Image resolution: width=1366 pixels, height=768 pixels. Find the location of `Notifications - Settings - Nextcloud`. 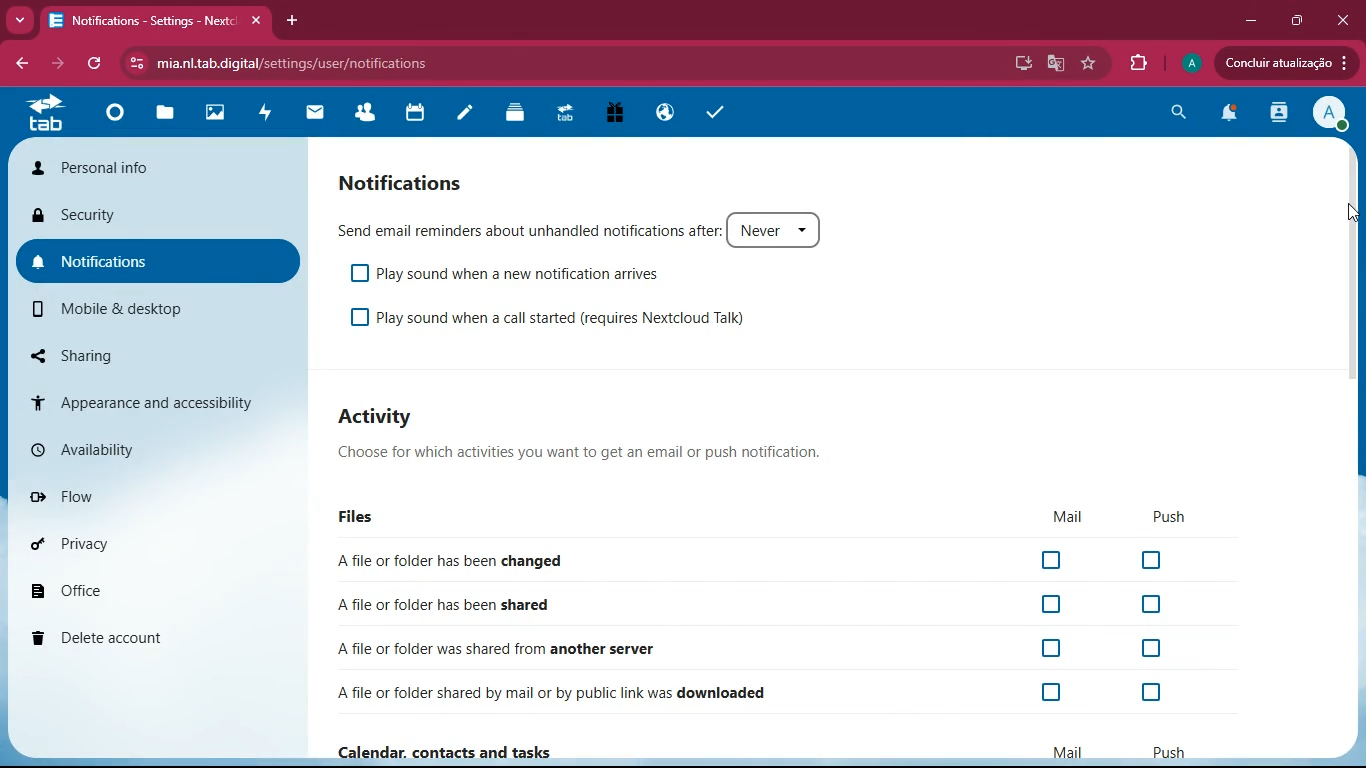

Notifications - Settings - Nextcloud is located at coordinates (156, 19).